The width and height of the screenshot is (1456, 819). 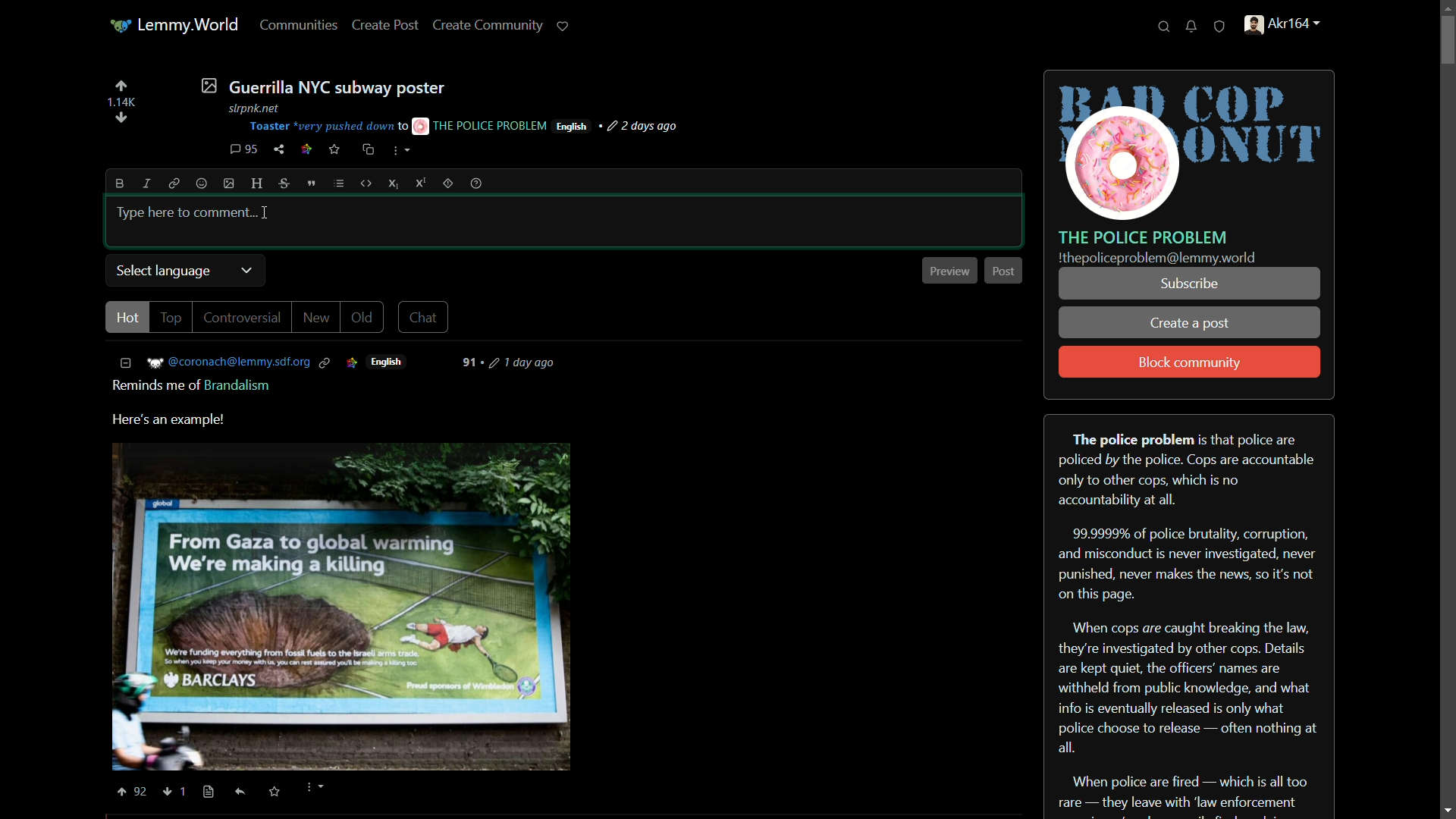 What do you see at coordinates (339, 184) in the screenshot?
I see `list` at bounding box center [339, 184].